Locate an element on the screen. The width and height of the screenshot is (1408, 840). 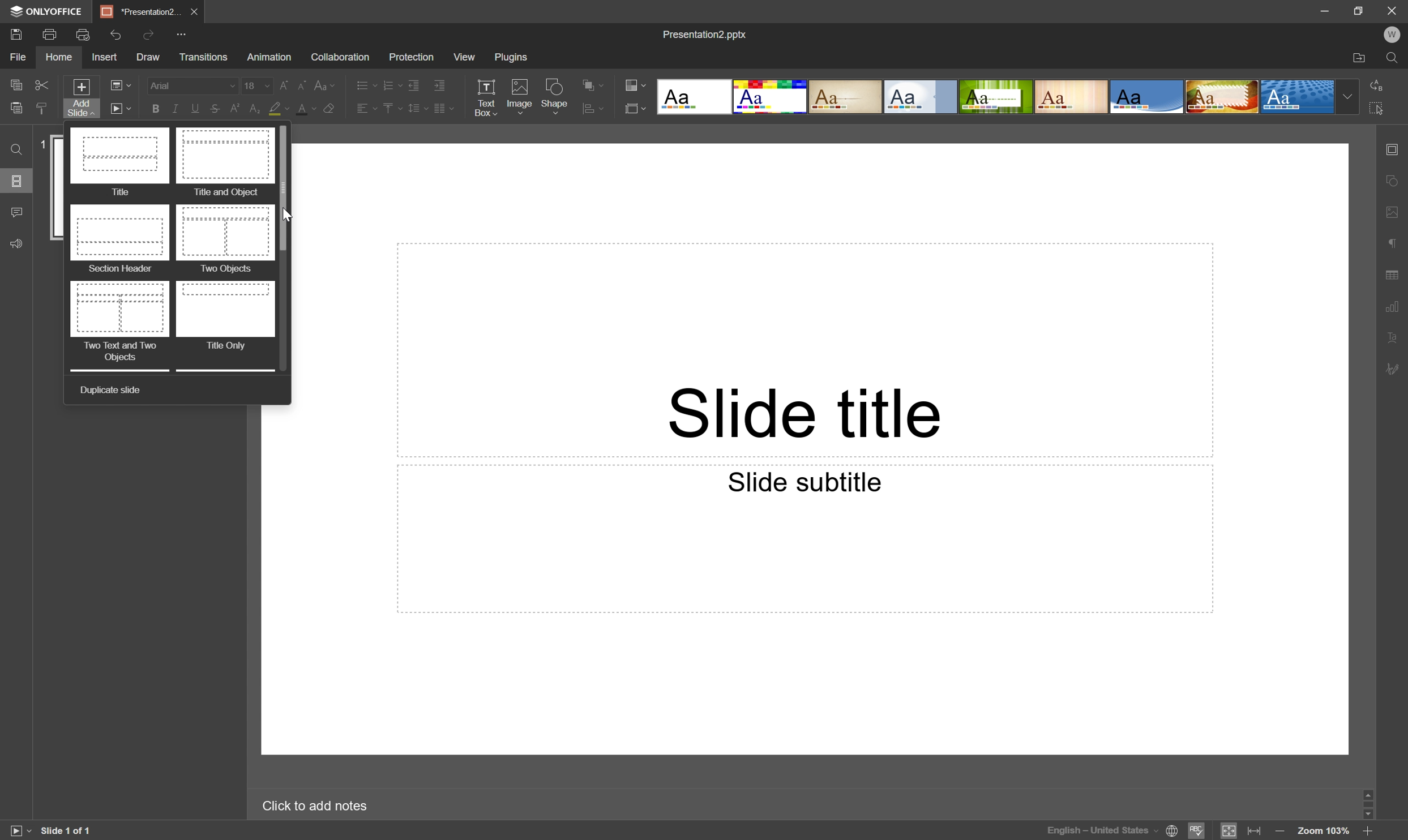
Decrease indent is located at coordinates (414, 82).